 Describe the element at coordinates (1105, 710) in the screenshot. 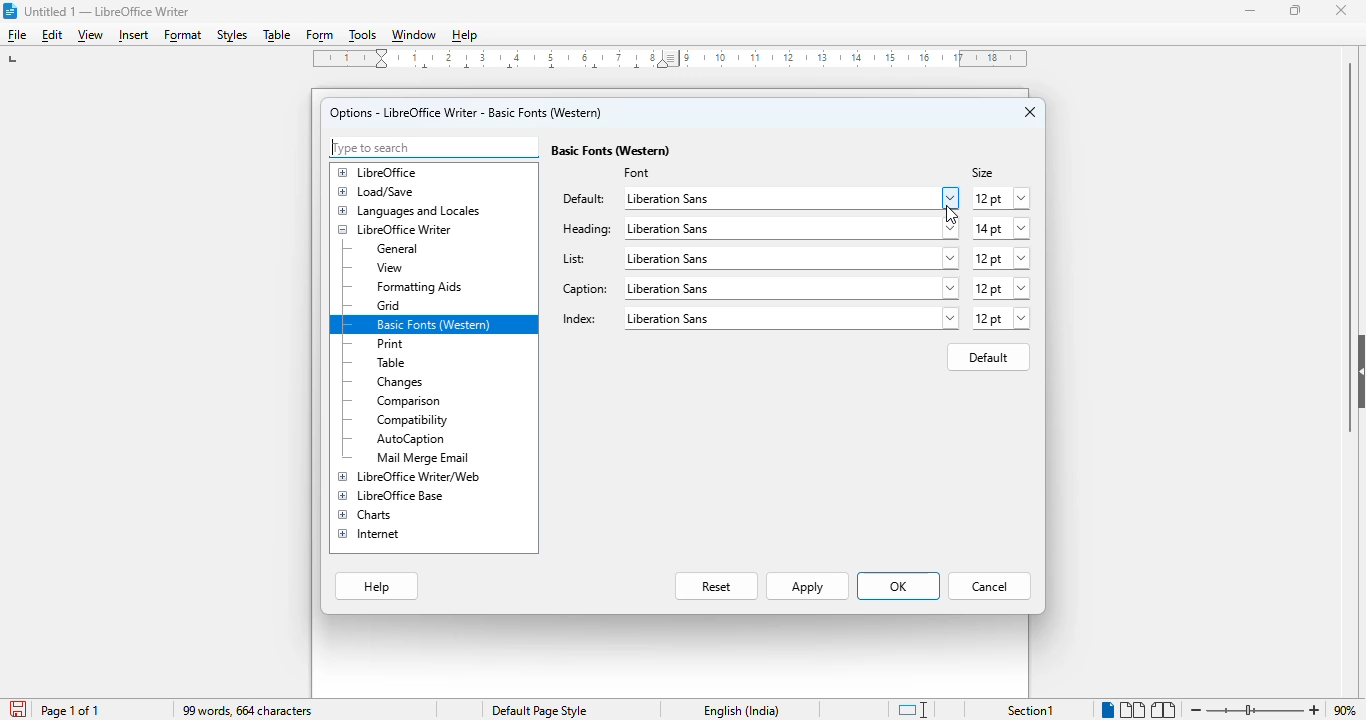

I see `single page view` at that location.